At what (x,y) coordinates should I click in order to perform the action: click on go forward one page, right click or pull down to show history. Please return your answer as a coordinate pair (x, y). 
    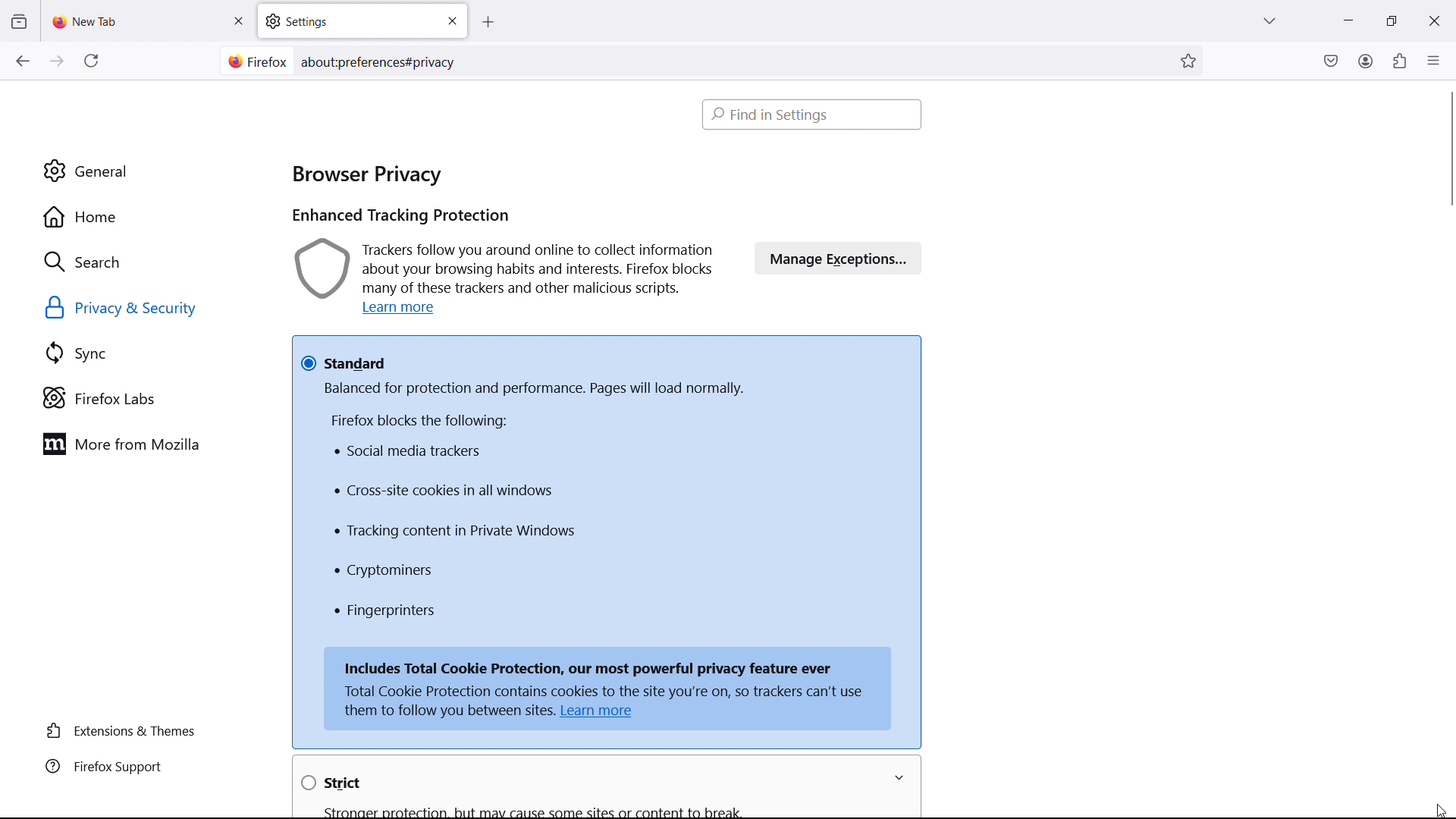
    Looking at the image, I should click on (57, 61).